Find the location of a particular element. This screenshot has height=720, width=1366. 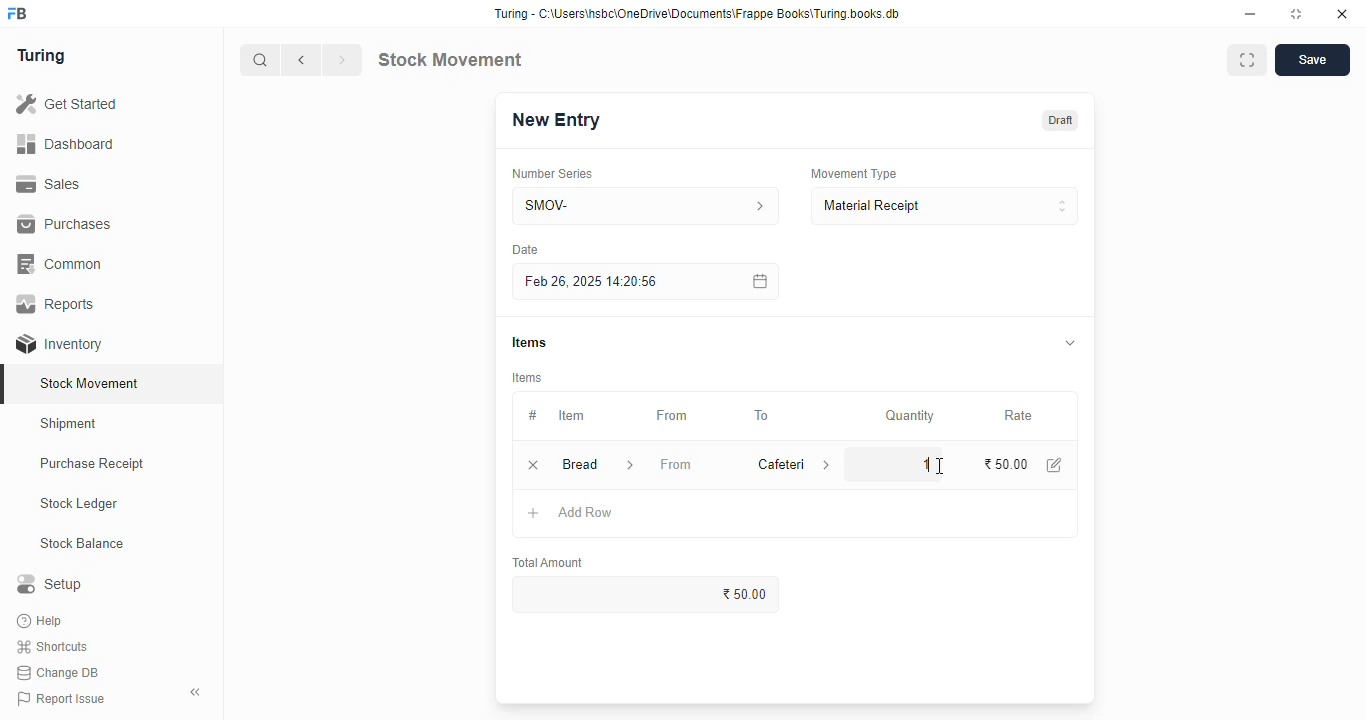

bread is located at coordinates (579, 464).